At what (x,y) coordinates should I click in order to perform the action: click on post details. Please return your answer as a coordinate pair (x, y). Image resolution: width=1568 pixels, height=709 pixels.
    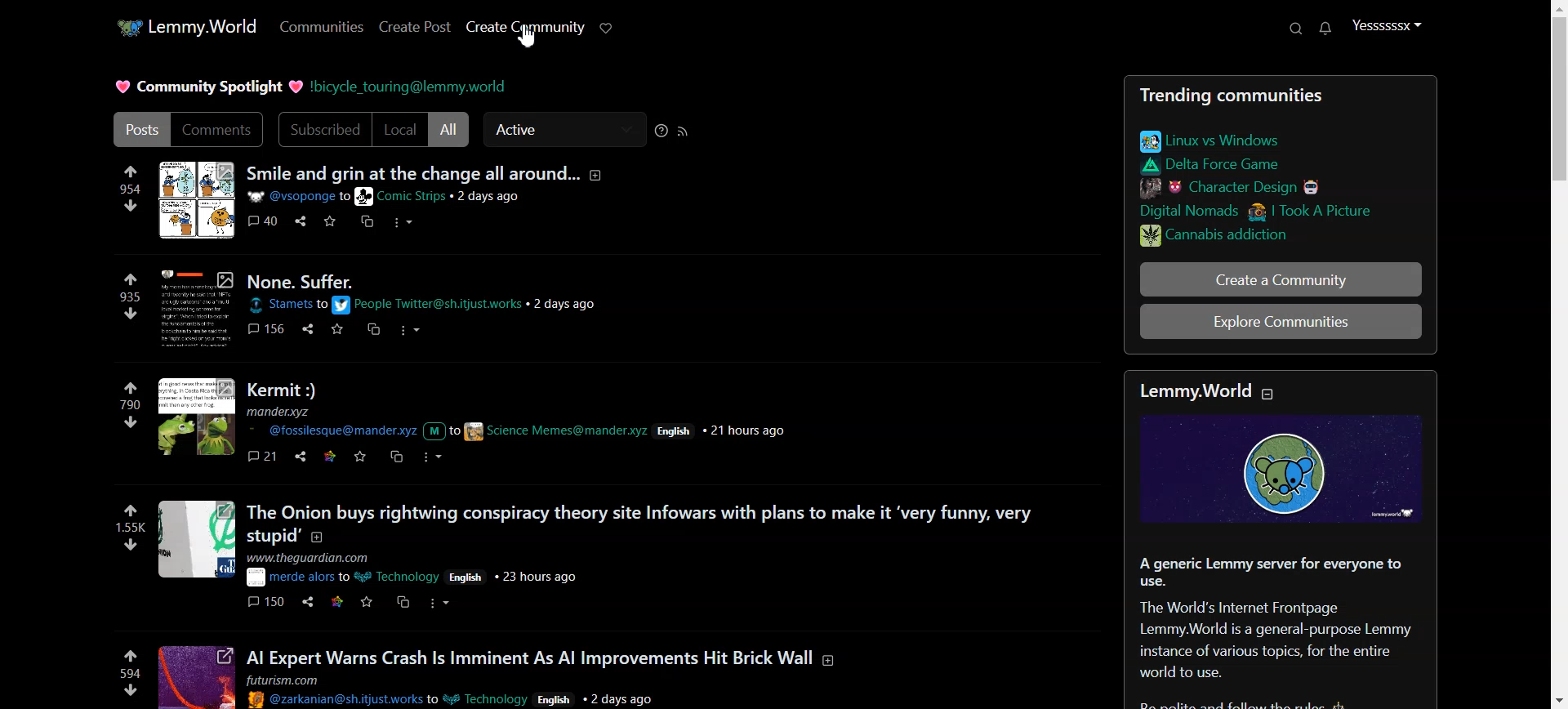
    Looking at the image, I should click on (405, 197).